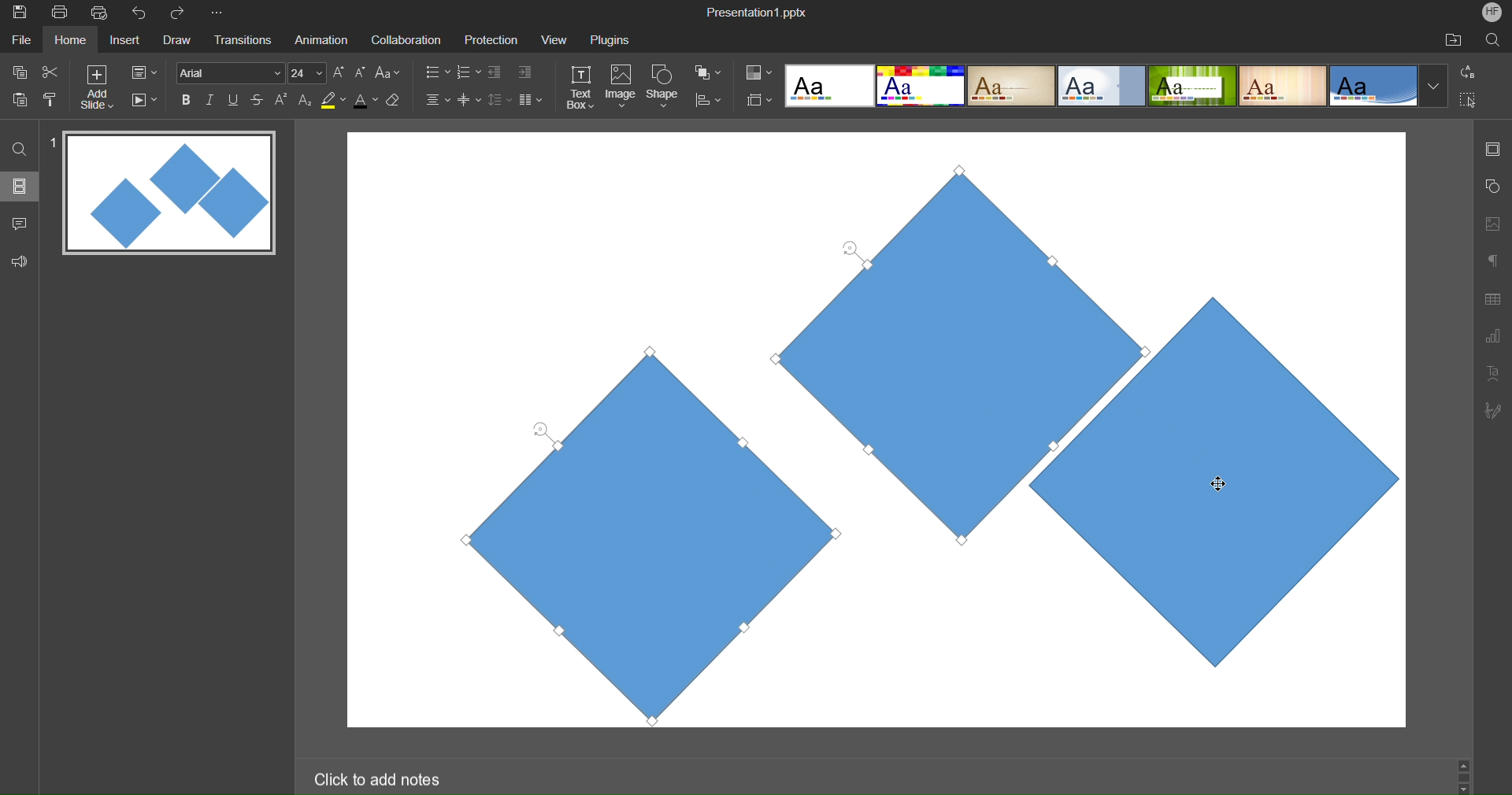 This screenshot has width=1512, height=795. I want to click on Paste, so click(20, 98).